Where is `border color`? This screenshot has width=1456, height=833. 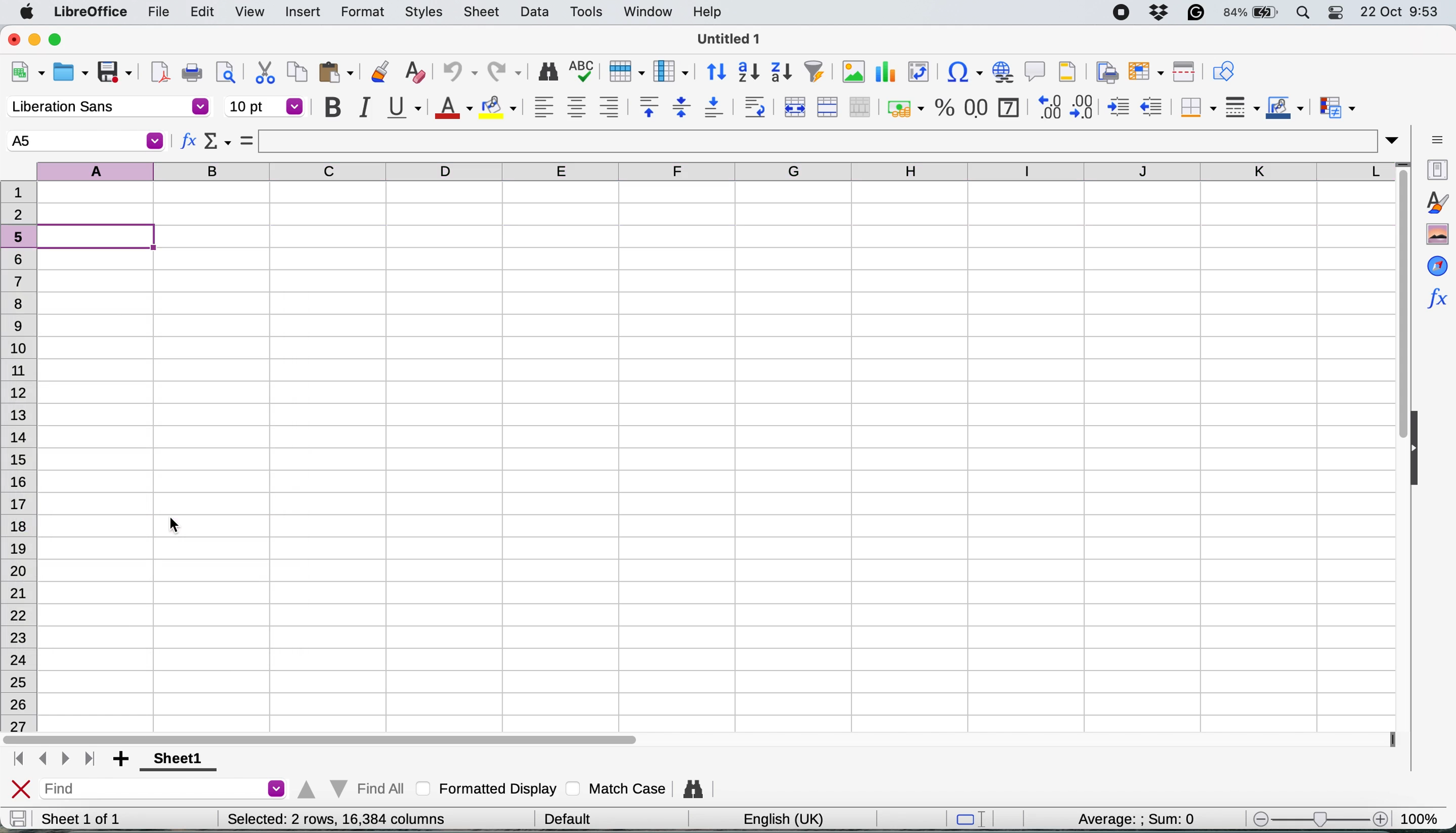 border color is located at coordinates (1285, 109).